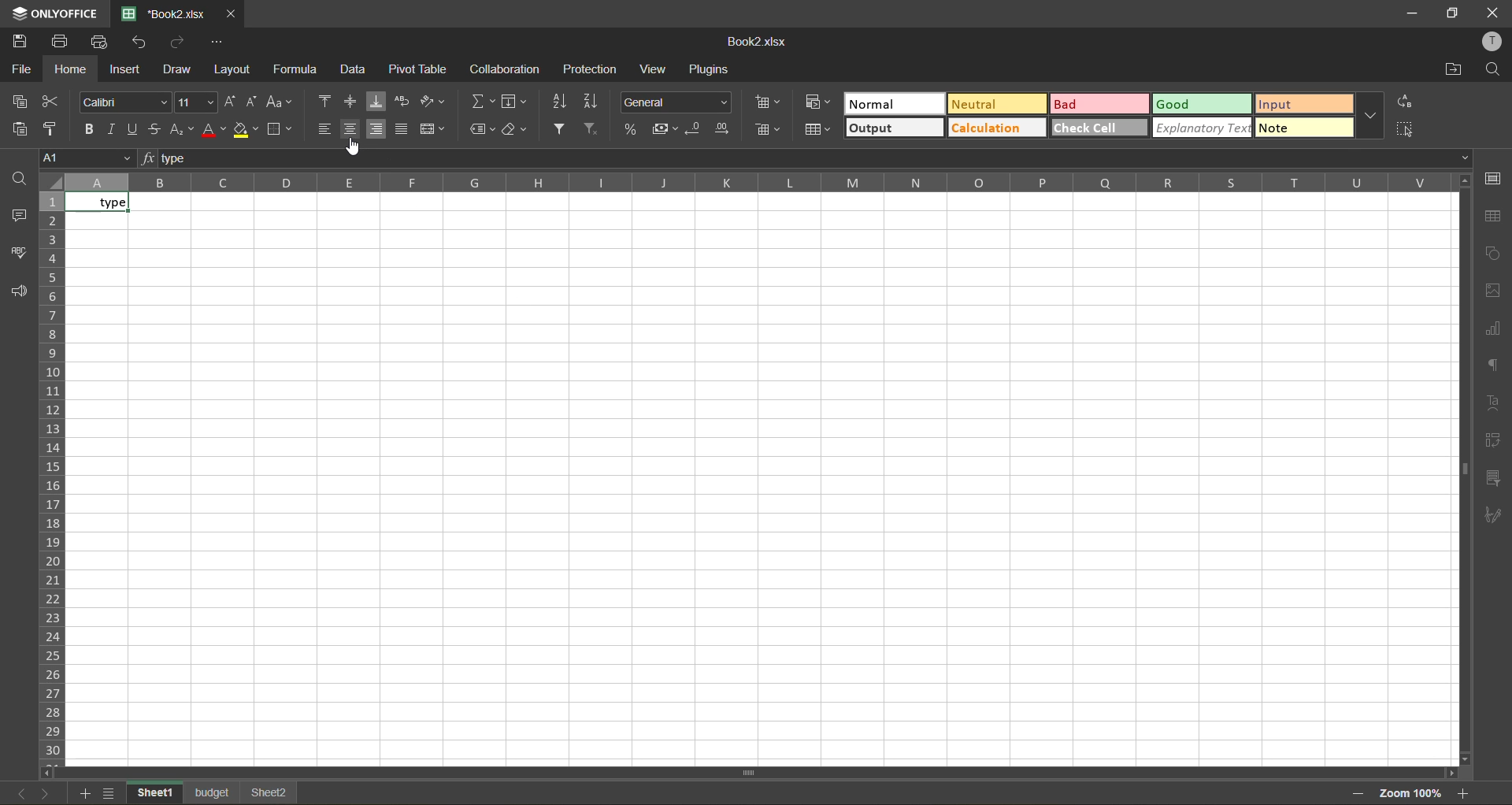  I want to click on increment size, so click(229, 102).